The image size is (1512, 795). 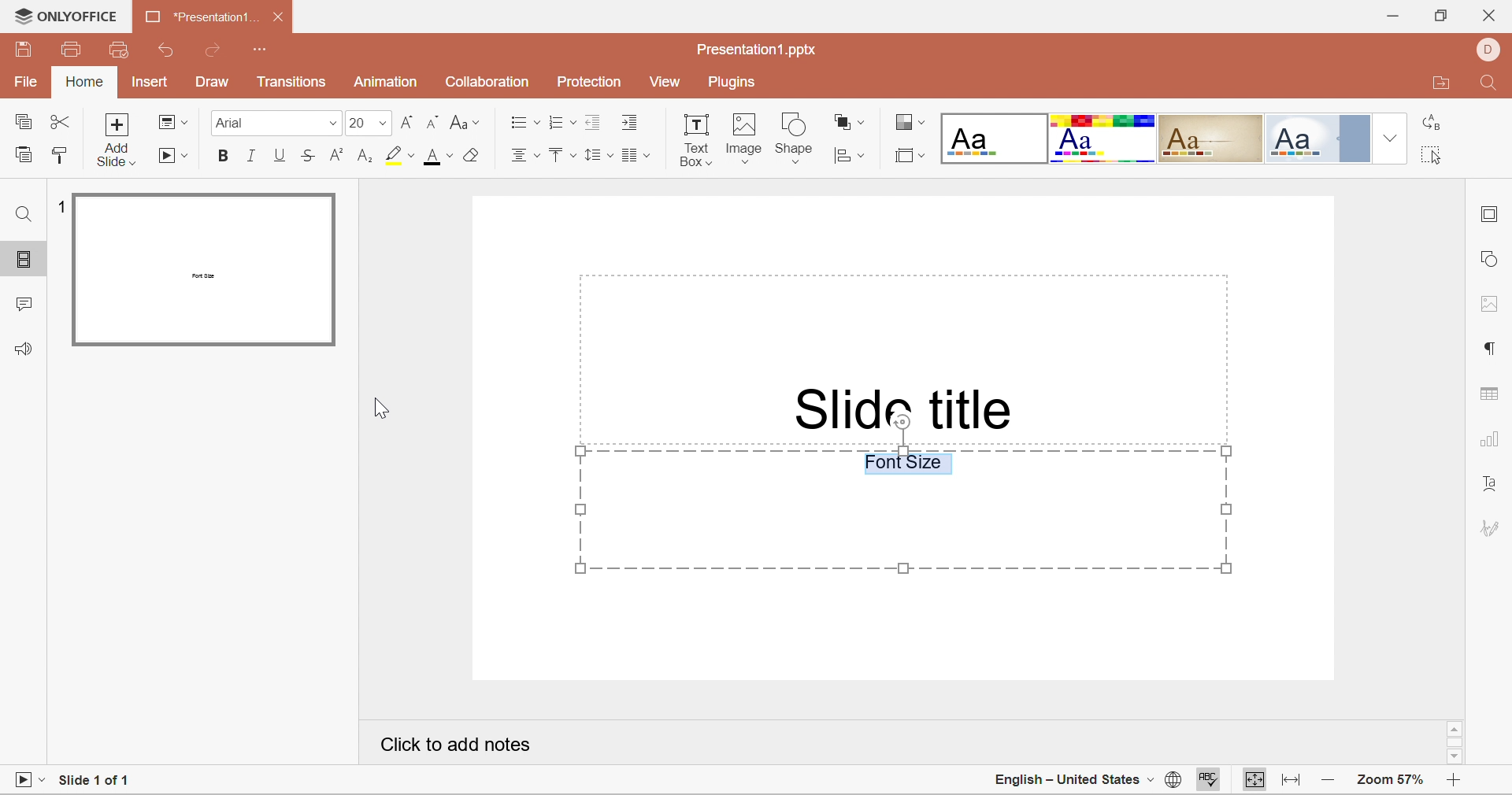 What do you see at coordinates (1173, 780) in the screenshot?
I see `Set document language` at bounding box center [1173, 780].